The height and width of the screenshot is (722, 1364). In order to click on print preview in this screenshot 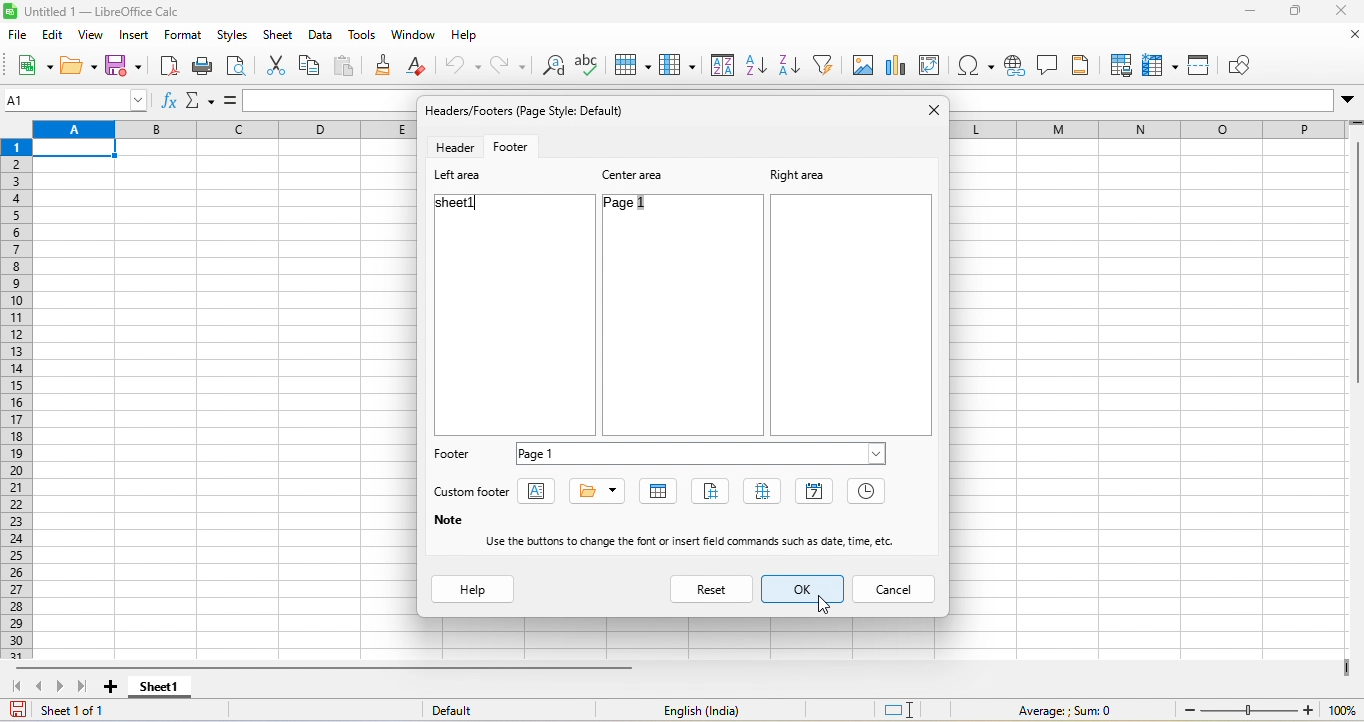, I will do `click(243, 65)`.